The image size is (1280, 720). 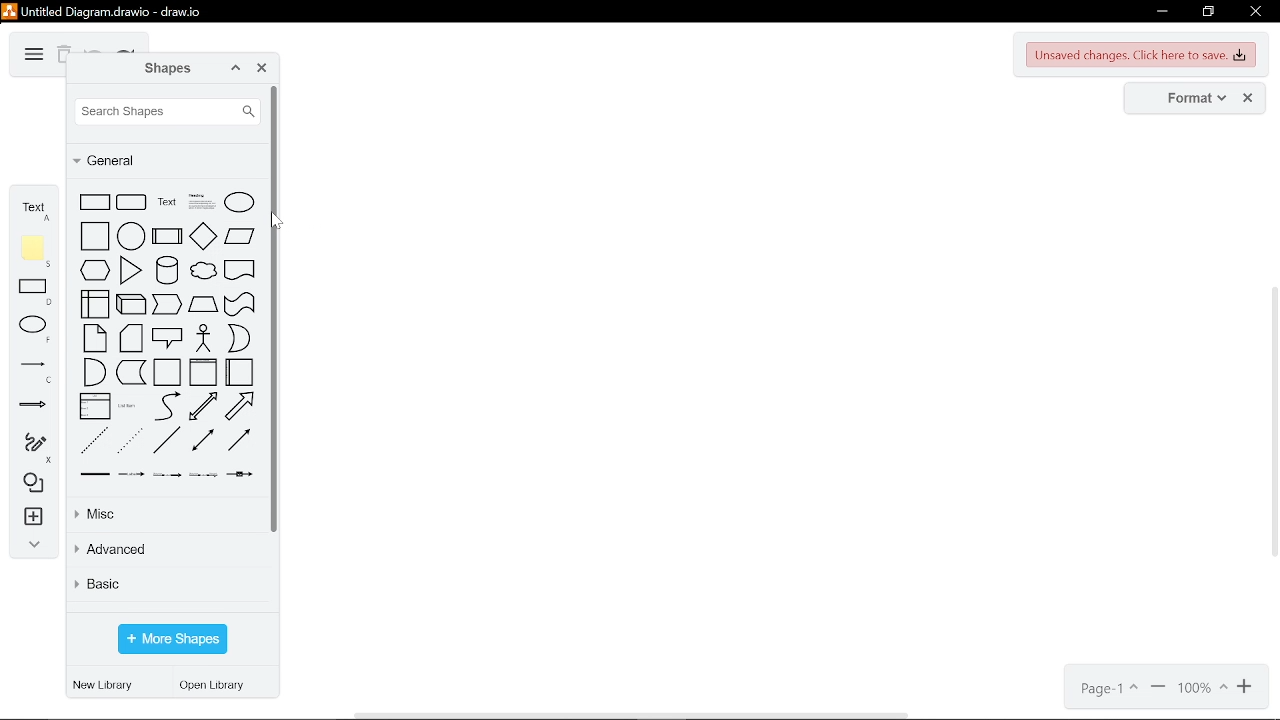 What do you see at coordinates (126, 50) in the screenshot?
I see `redo` at bounding box center [126, 50].